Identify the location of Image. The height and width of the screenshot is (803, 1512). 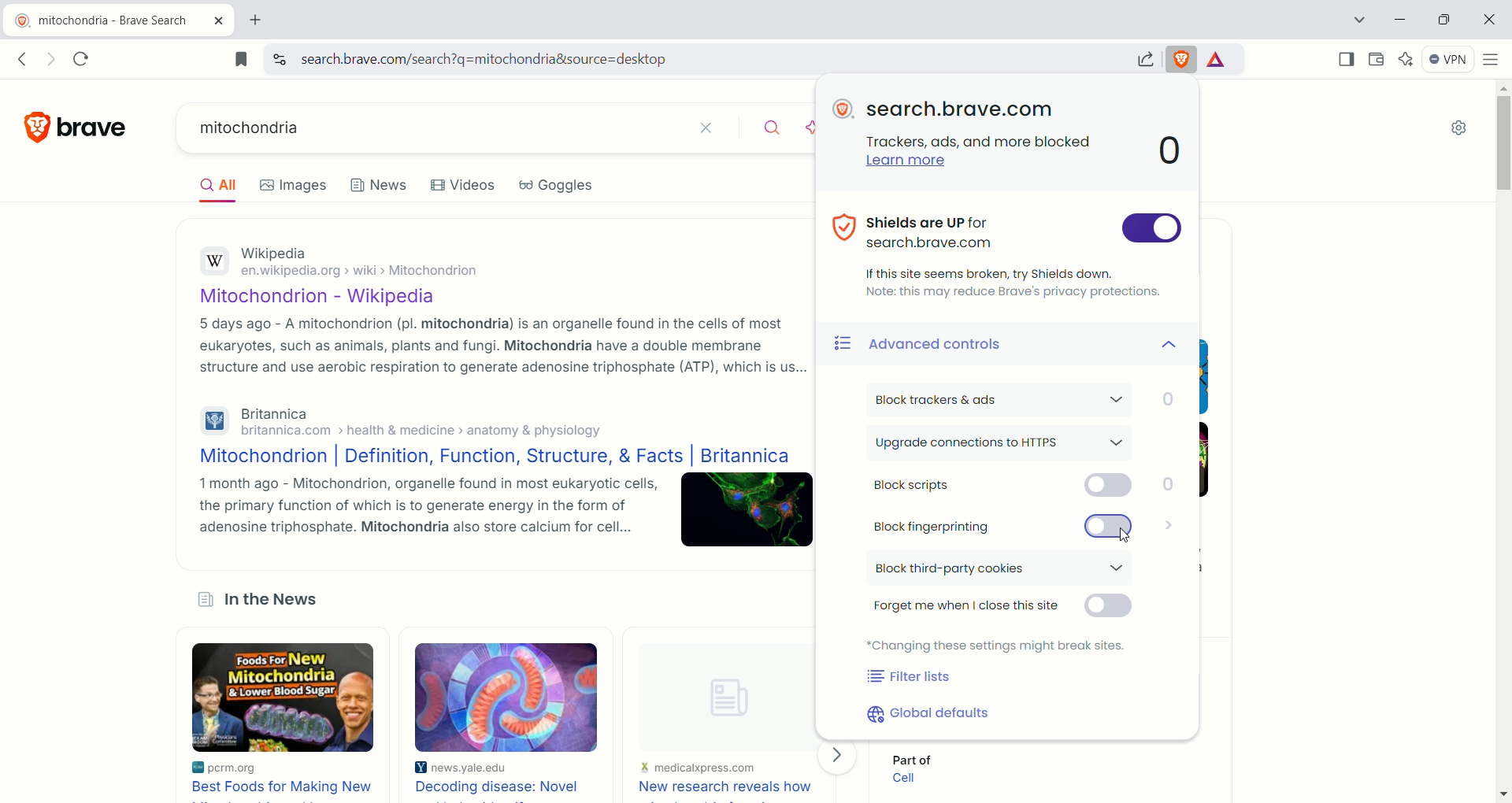
(720, 690).